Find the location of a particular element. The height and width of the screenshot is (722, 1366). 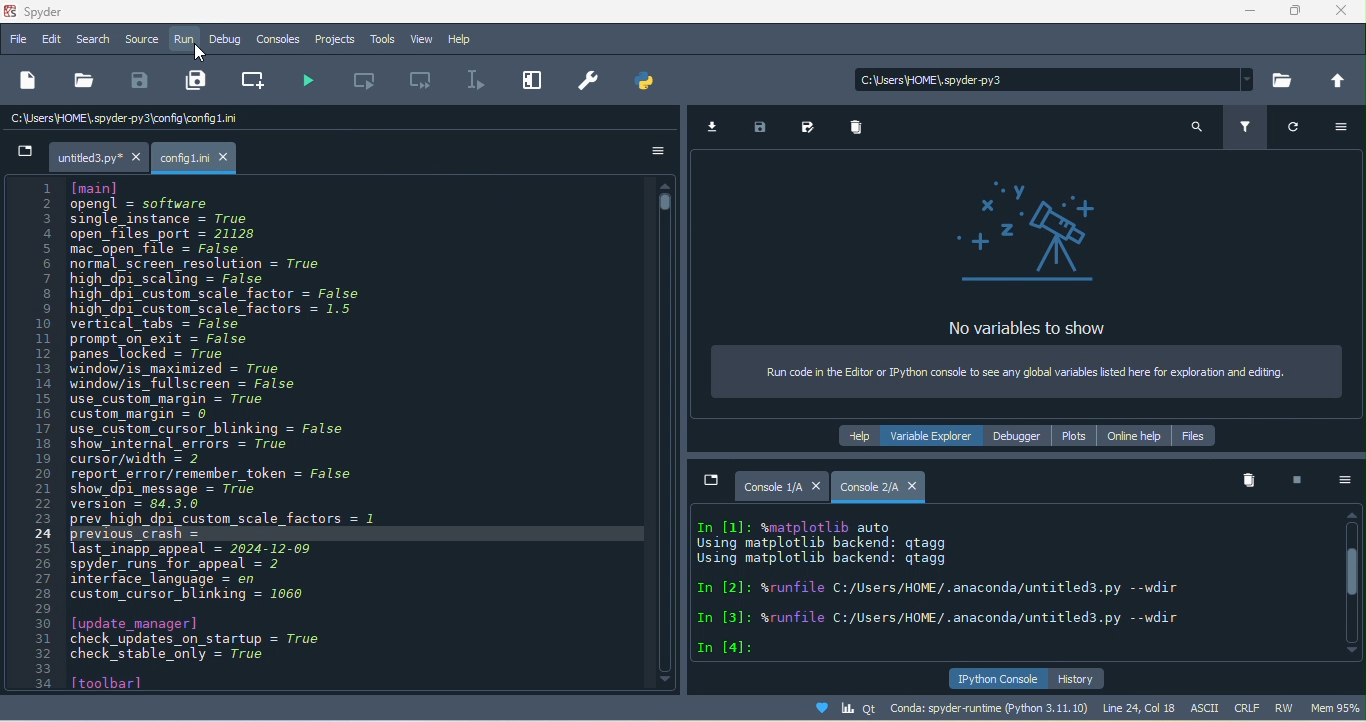

no variables to show is located at coordinates (1029, 253).